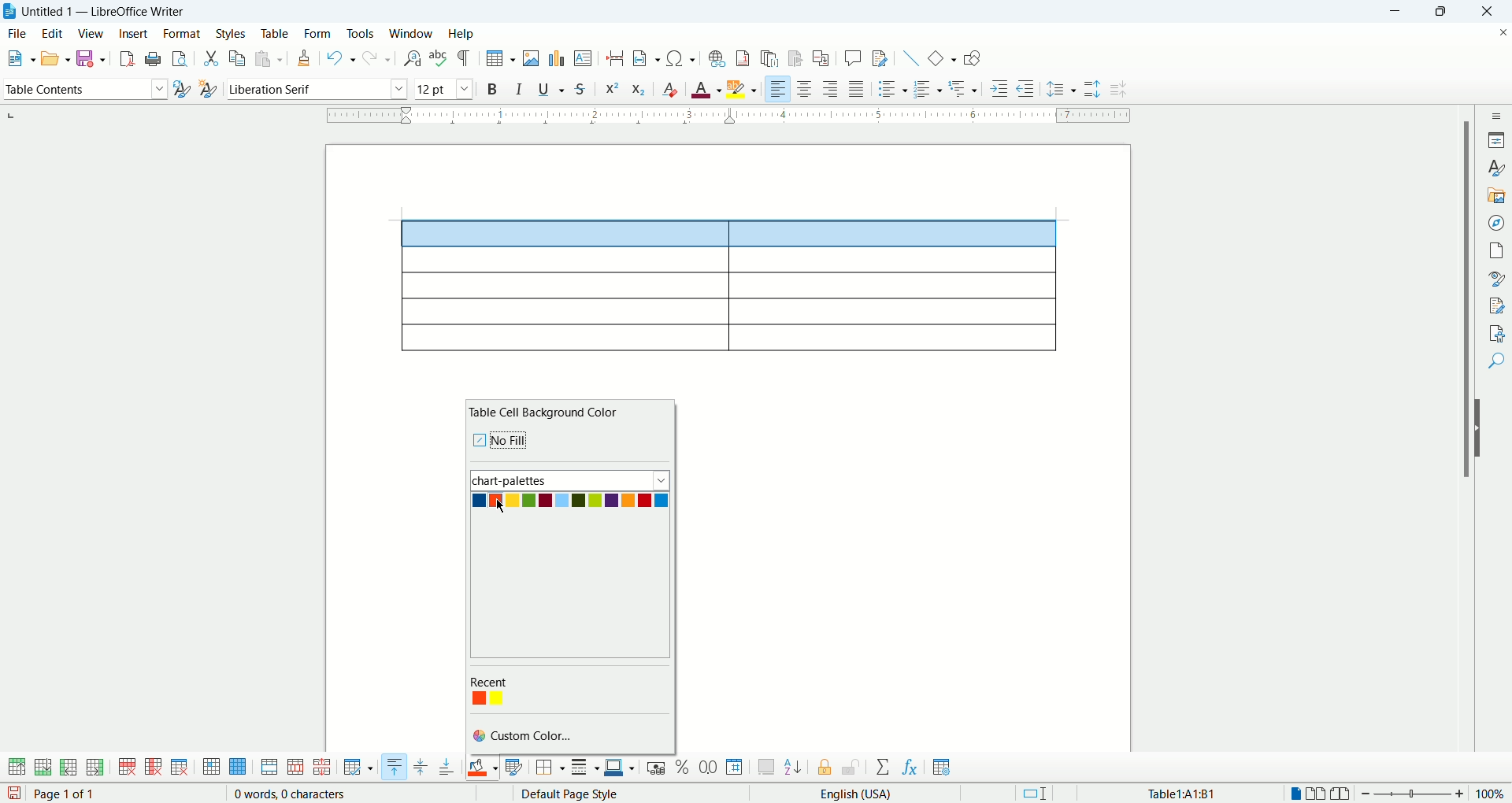 This screenshot has height=803, width=1512. I want to click on insert table, so click(501, 58).